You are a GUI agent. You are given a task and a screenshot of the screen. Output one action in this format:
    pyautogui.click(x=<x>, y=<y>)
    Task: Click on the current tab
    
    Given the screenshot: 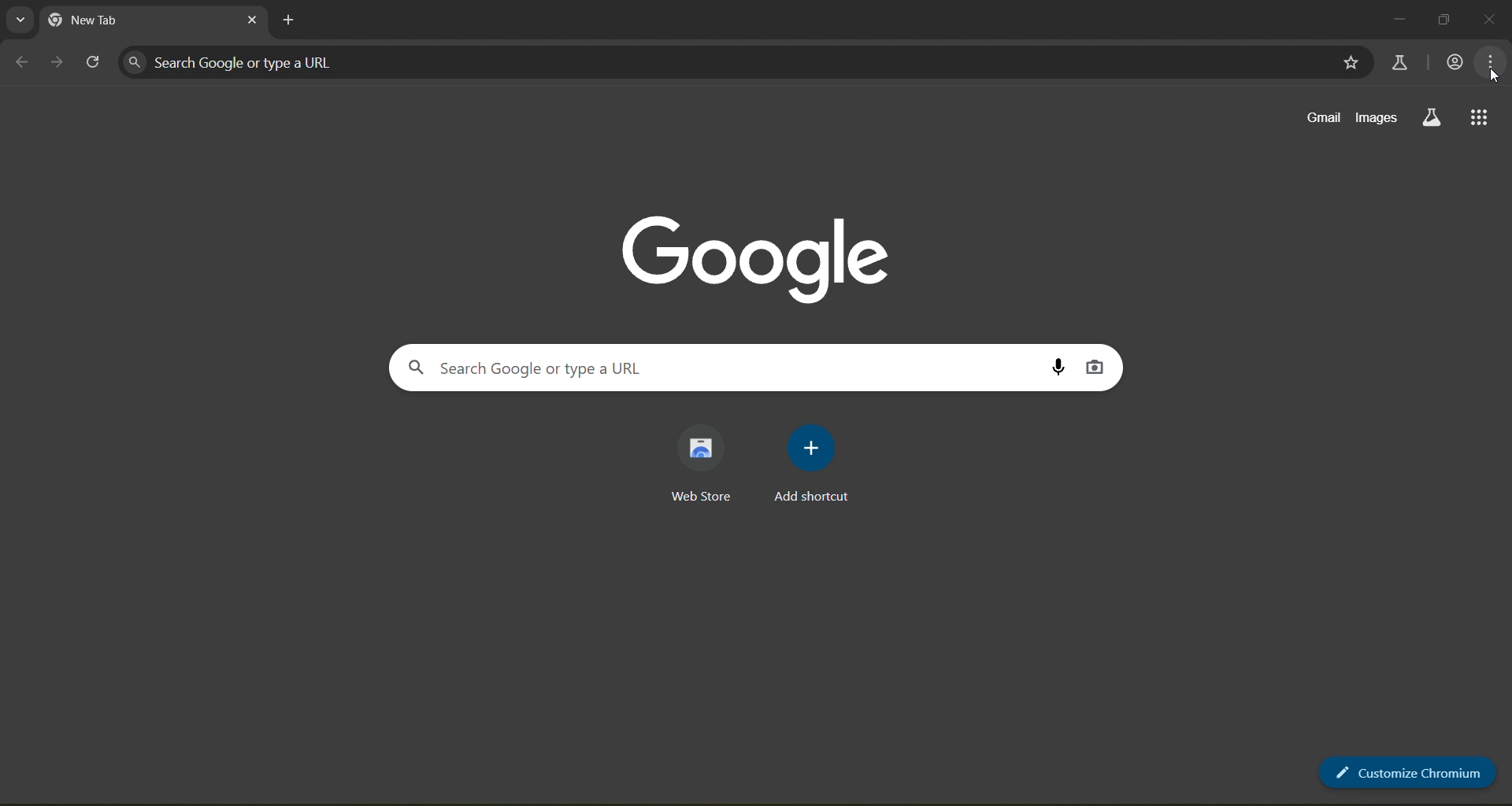 What is the action you would take?
    pyautogui.click(x=117, y=21)
    